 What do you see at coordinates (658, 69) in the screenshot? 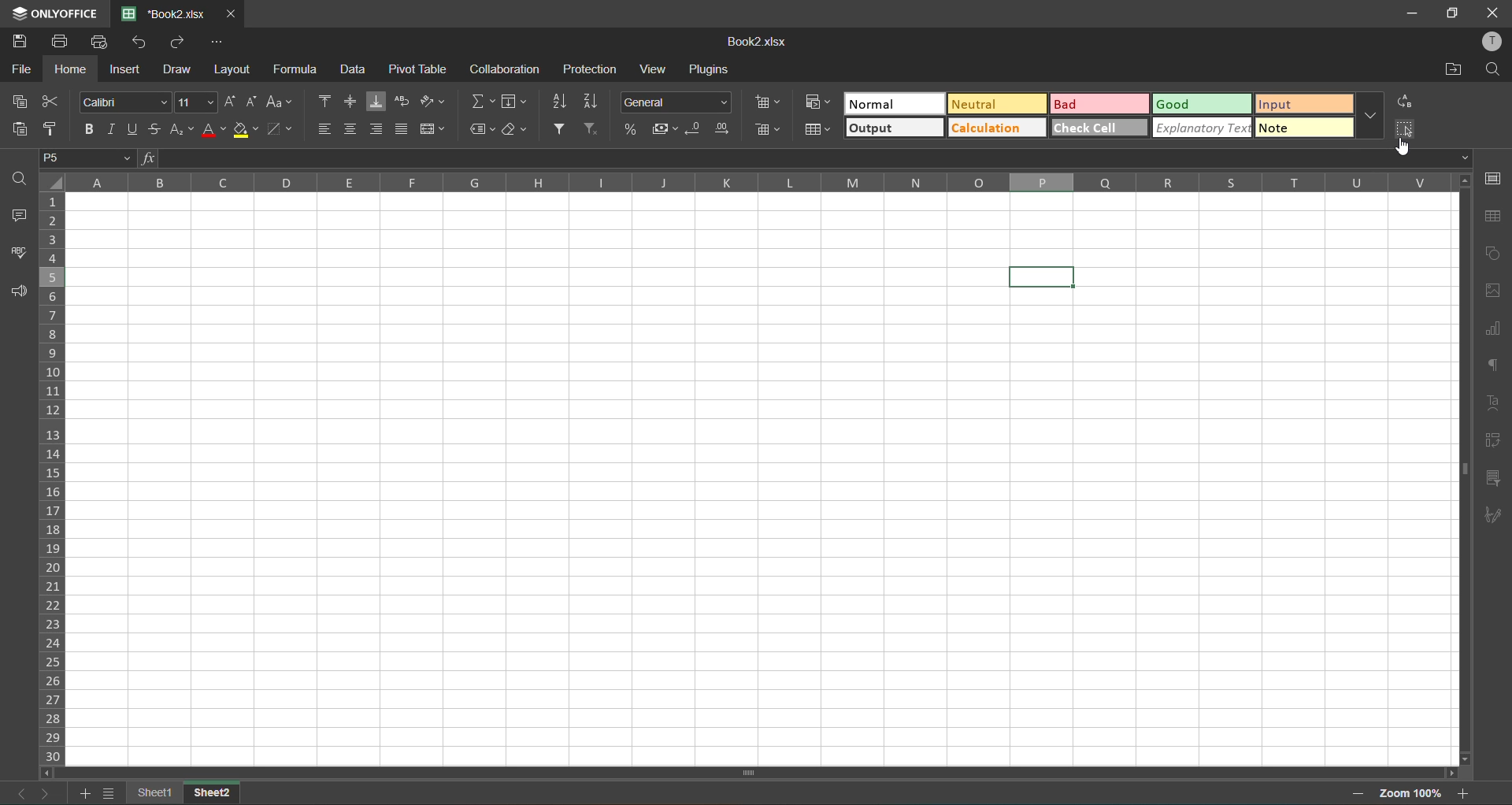
I see `view` at bounding box center [658, 69].